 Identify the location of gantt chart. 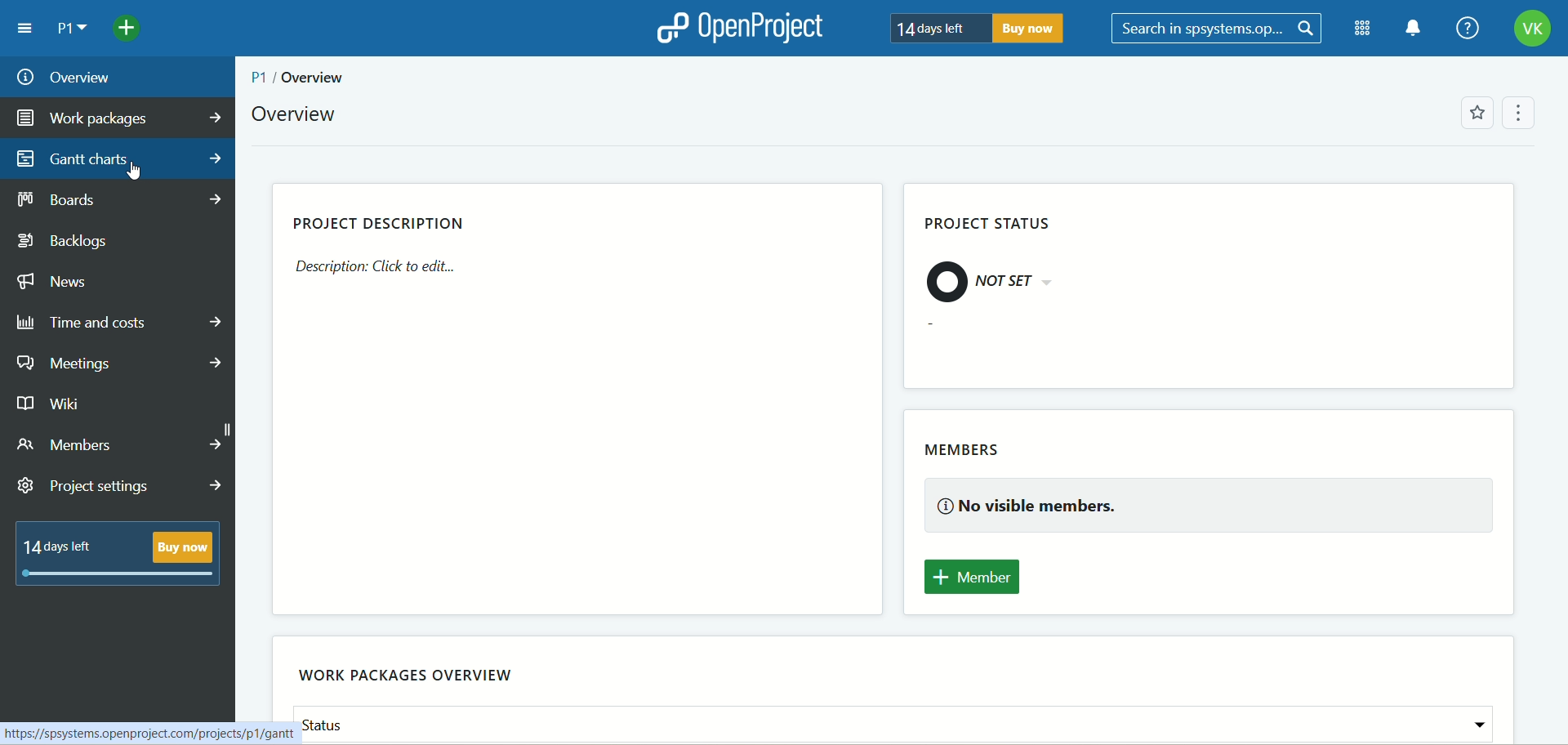
(118, 159).